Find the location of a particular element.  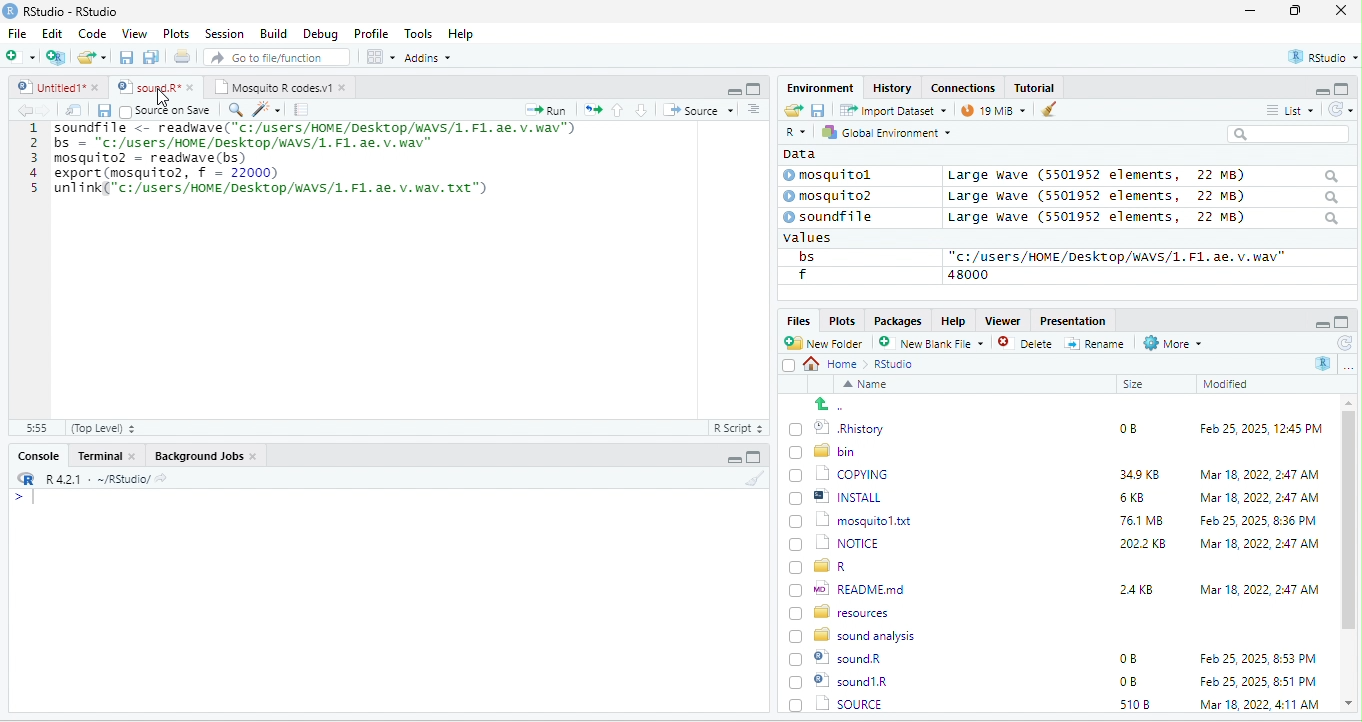

Modified is located at coordinates (1227, 384).